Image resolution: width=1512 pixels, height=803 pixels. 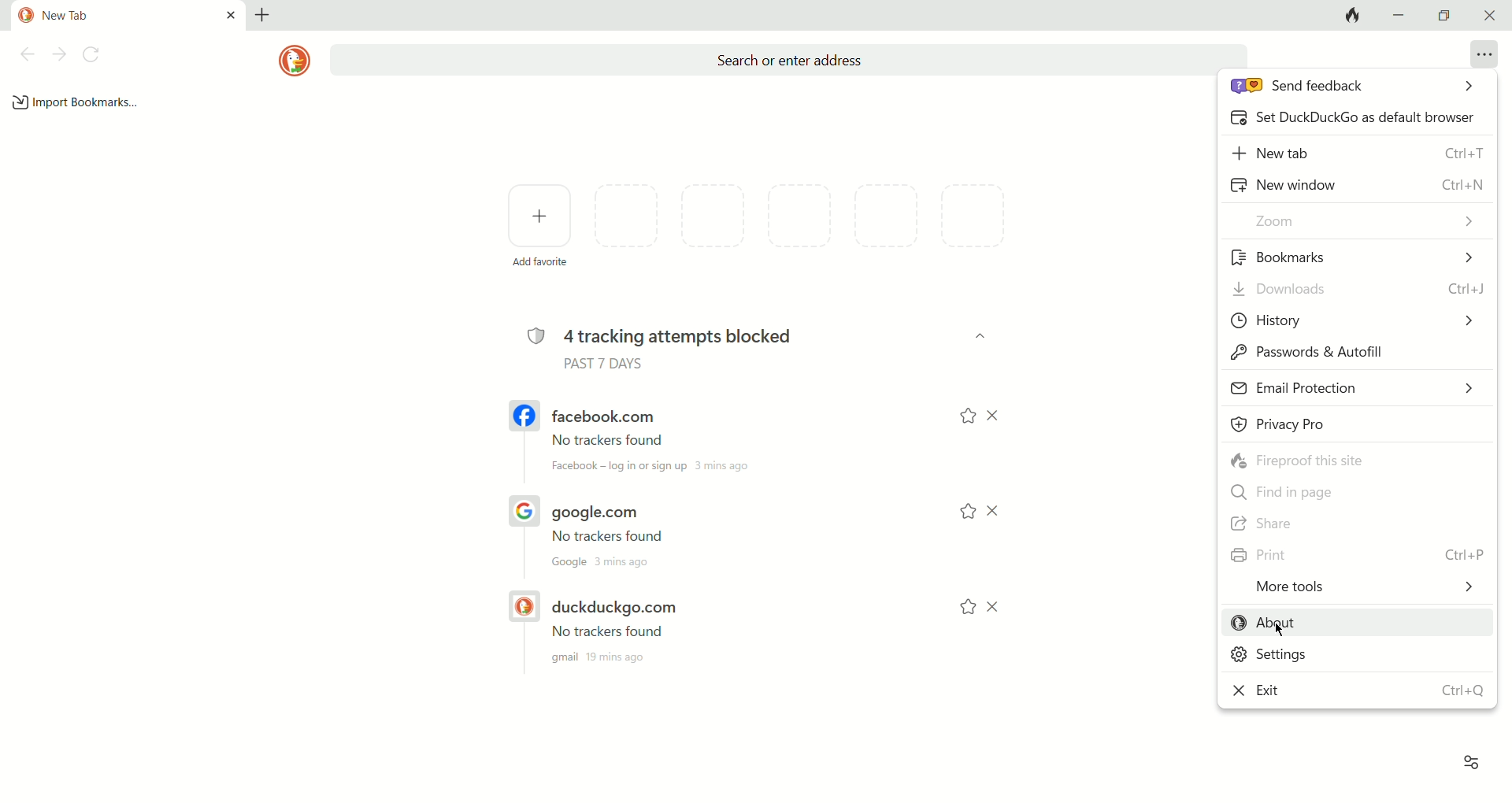 What do you see at coordinates (1351, 460) in the screenshot?
I see `fireproof this site` at bounding box center [1351, 460].